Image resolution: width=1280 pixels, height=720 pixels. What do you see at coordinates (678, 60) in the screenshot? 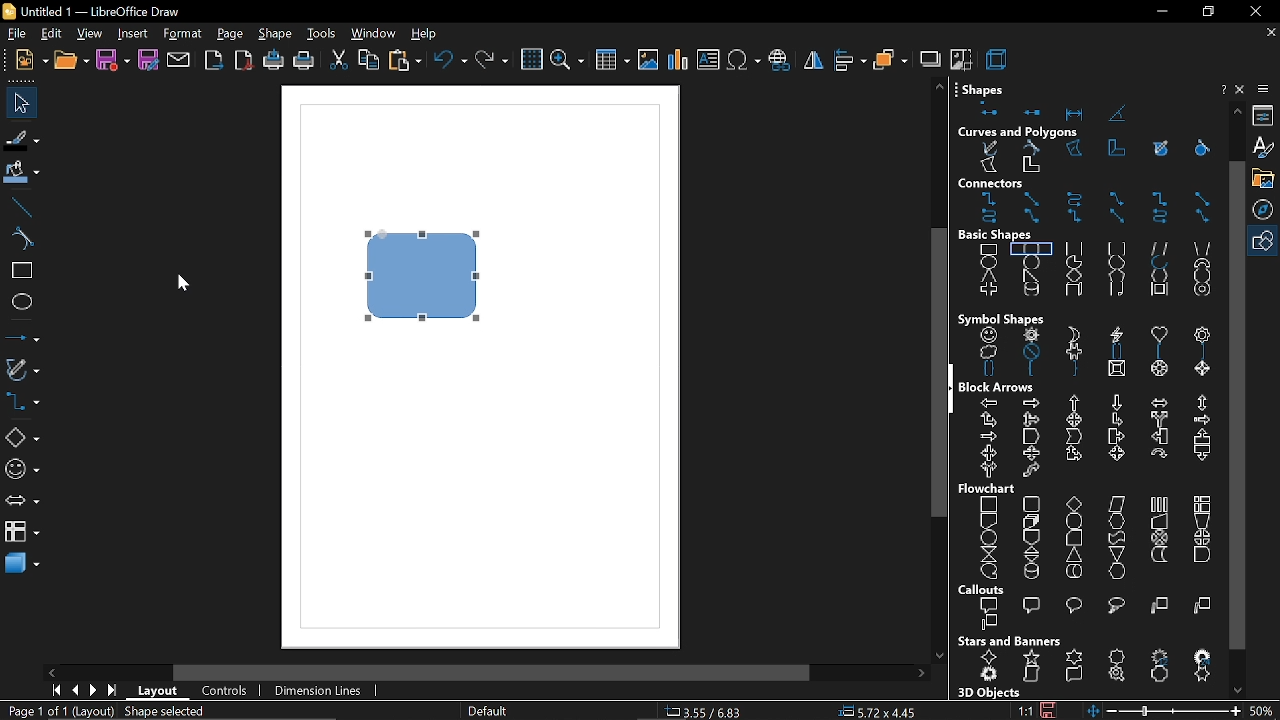
I see `insert chart` at bounding box center [678, 60].